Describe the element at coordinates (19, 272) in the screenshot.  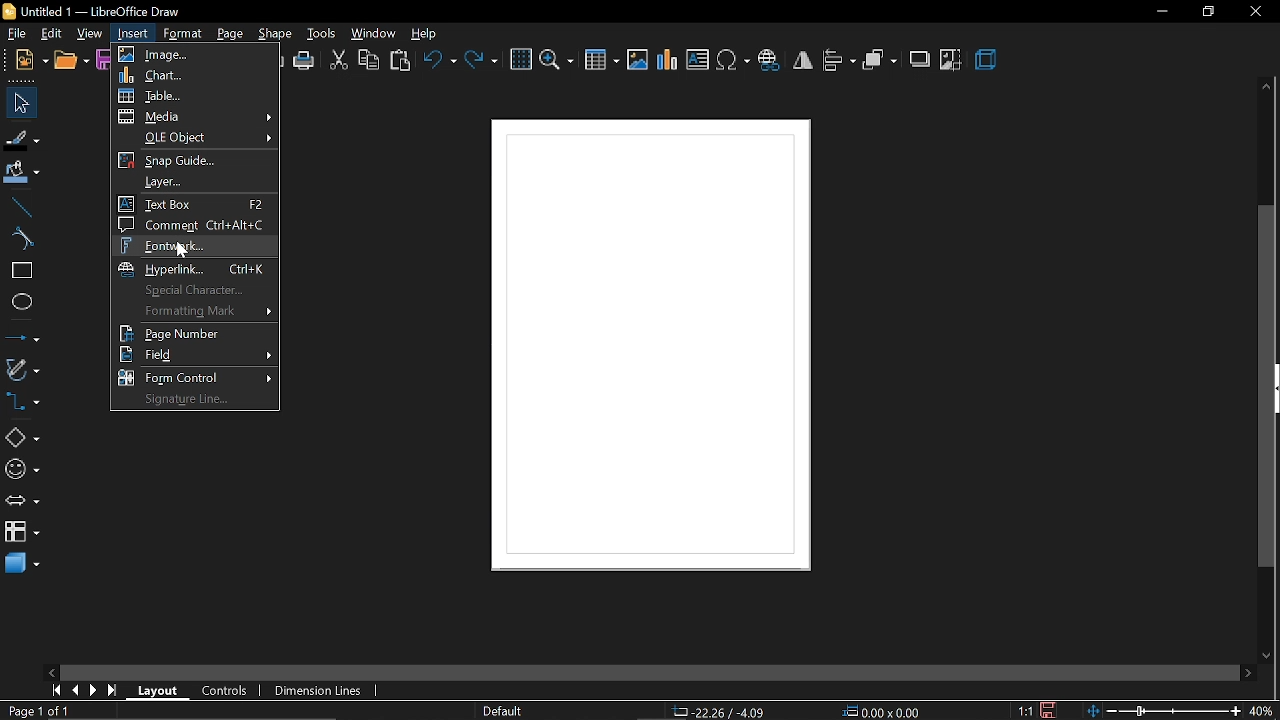
I see `rectangle` at that location.